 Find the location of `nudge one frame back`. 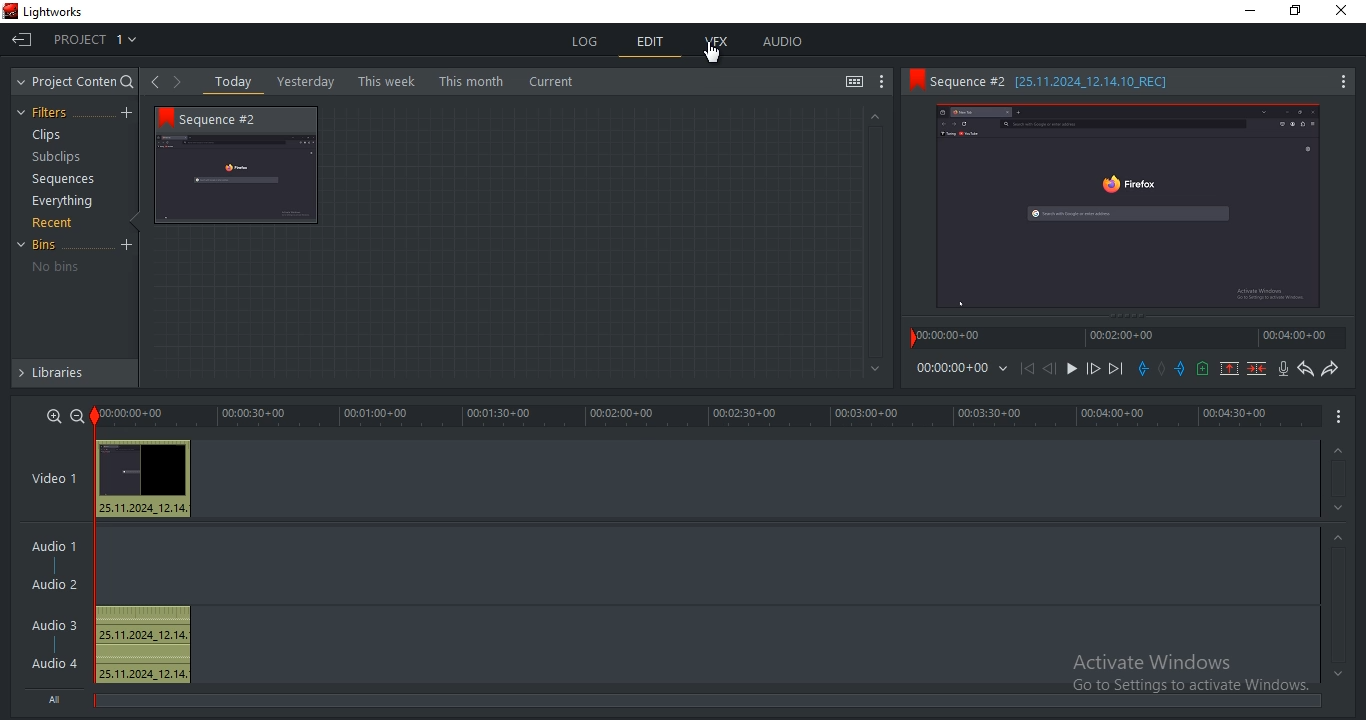

nudge one frame back is located at coordinates (1052, 369).